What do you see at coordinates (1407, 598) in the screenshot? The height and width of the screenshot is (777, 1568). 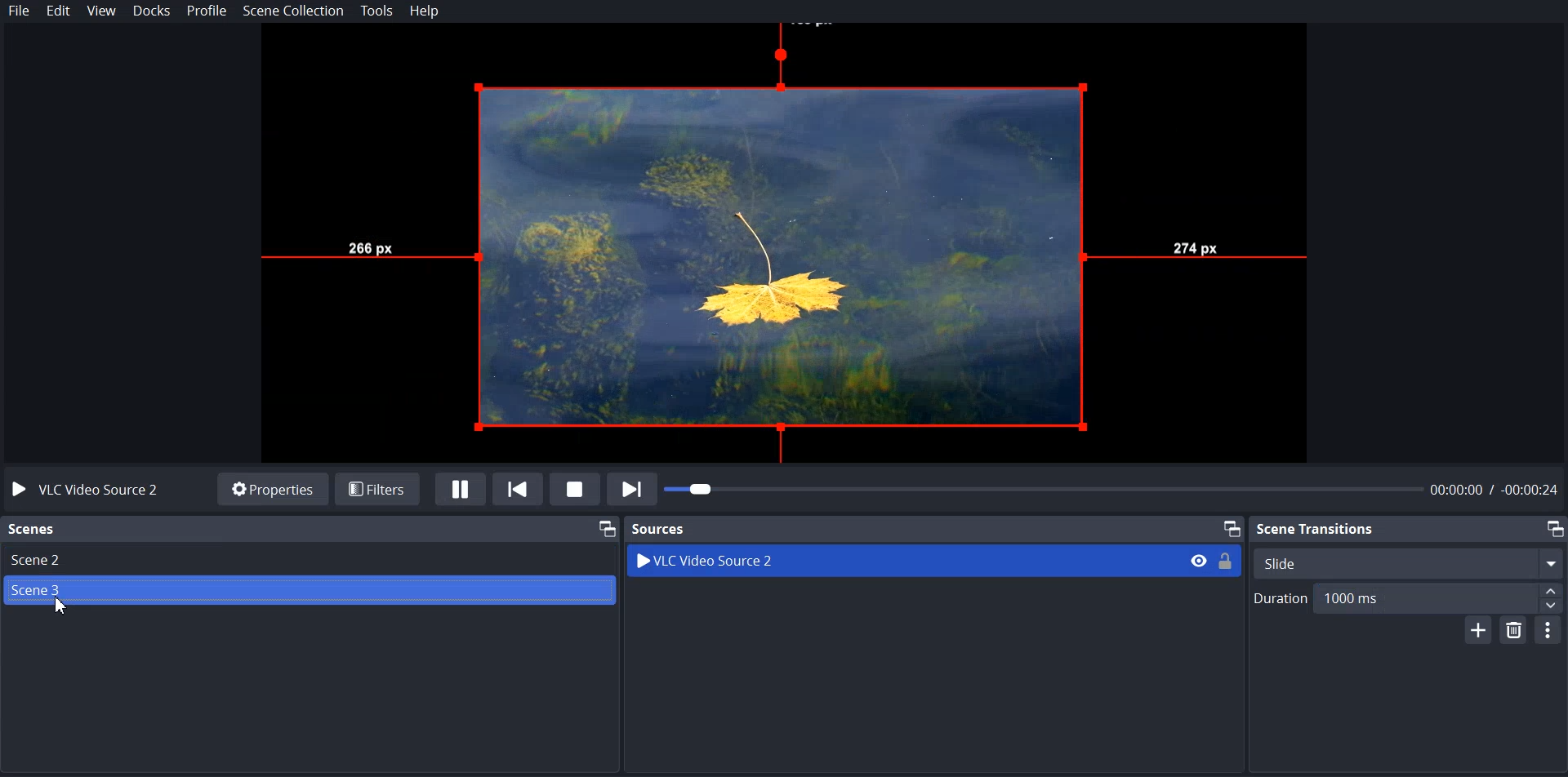 I see `Duration` at bounding box center [1407, 598].